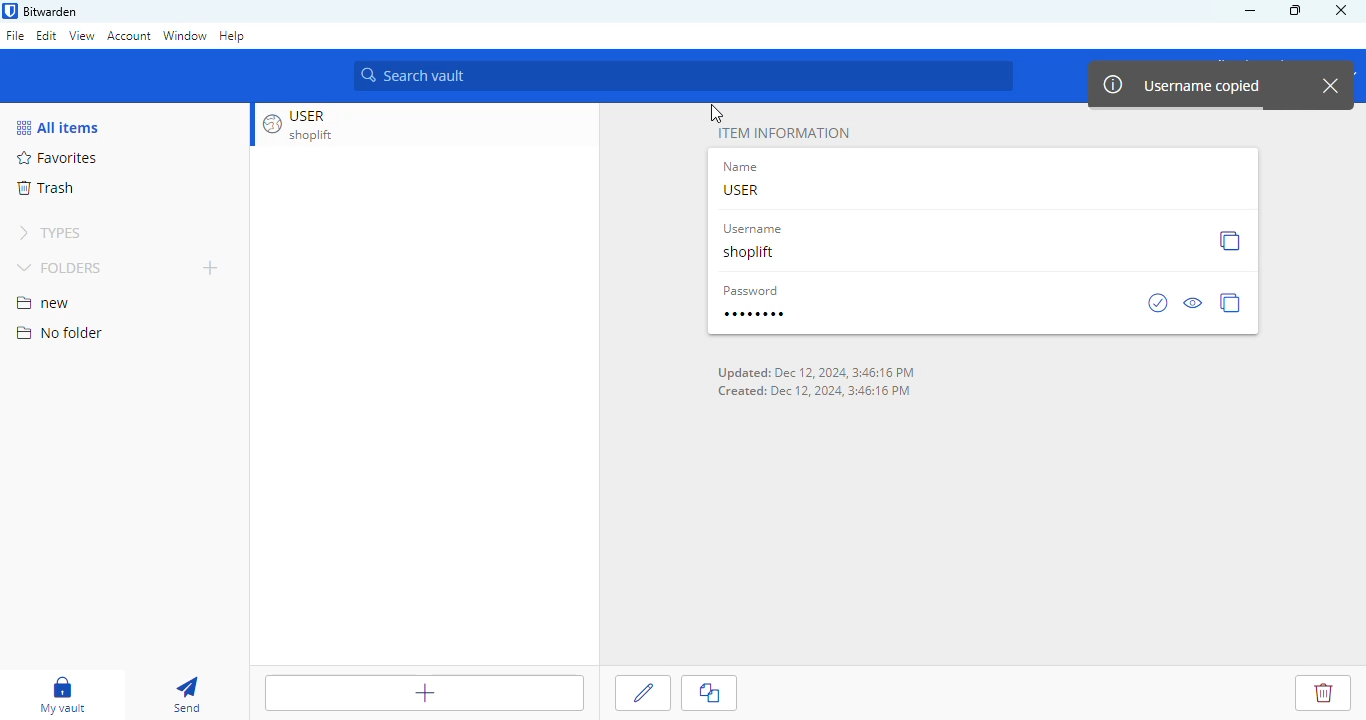 The height and width of the screenshot is (720, 1366). What do you see at coordinates (1341, 10) in the screenshot?
I see `close` at bounding box center [1341, 10].